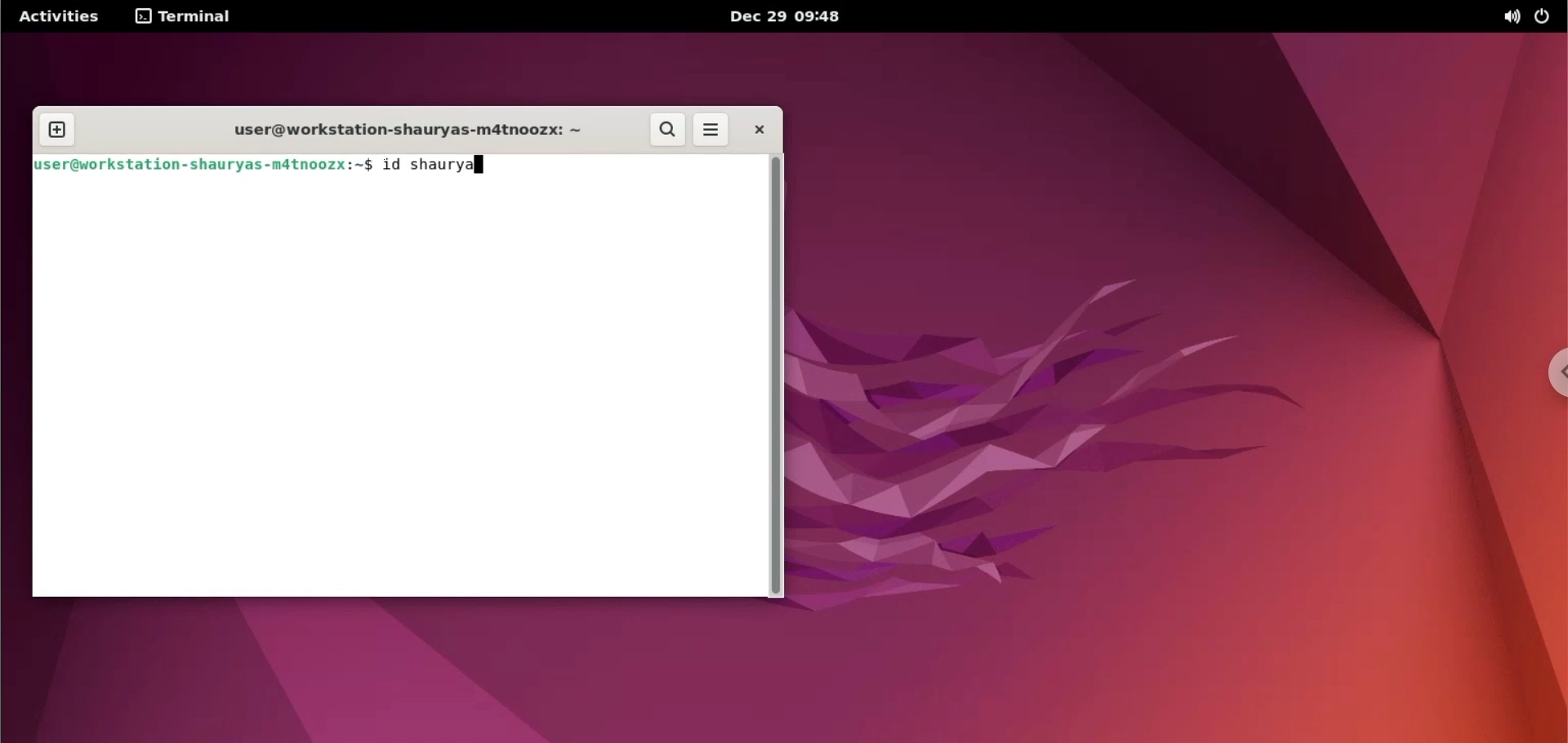 The image size is (1568, 743). What do you see at coordinates (669, 130) in the screenshot?
I see `search button` at bounding box center [669, 130].